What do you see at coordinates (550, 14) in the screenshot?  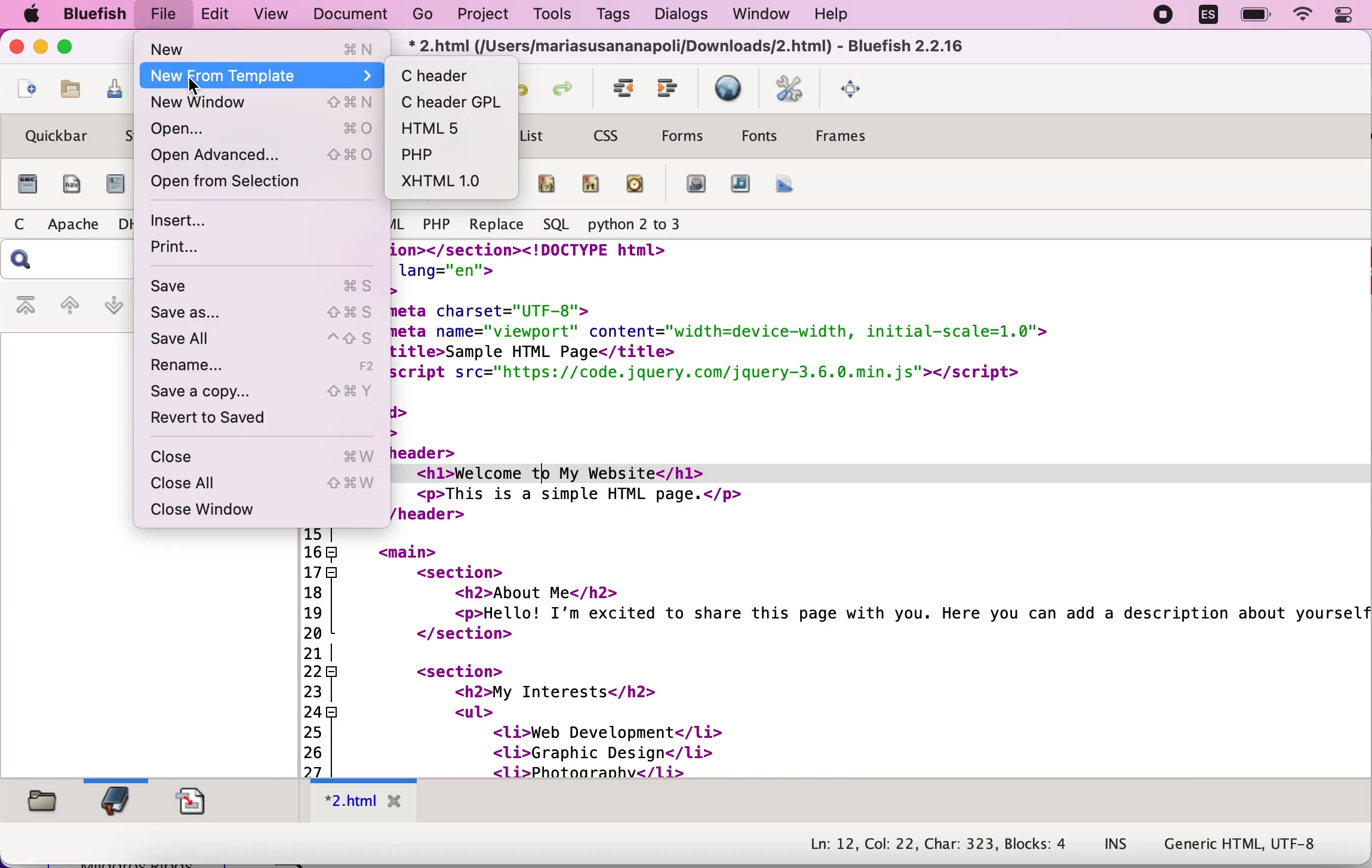 I see `tools` at bounding box center [550, 14].